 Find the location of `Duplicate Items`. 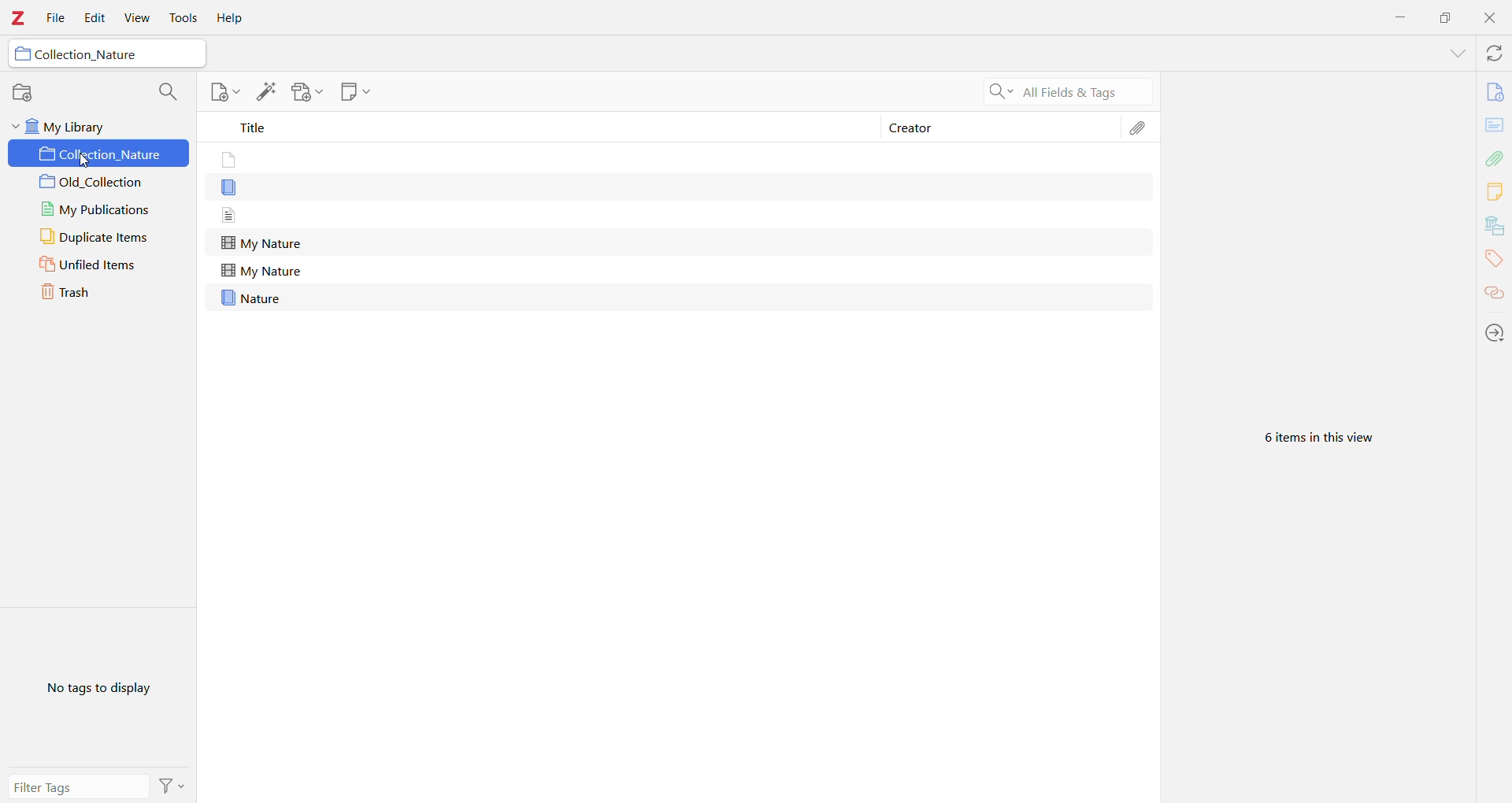

Duplicate Items is located at coordinates (99, 238).